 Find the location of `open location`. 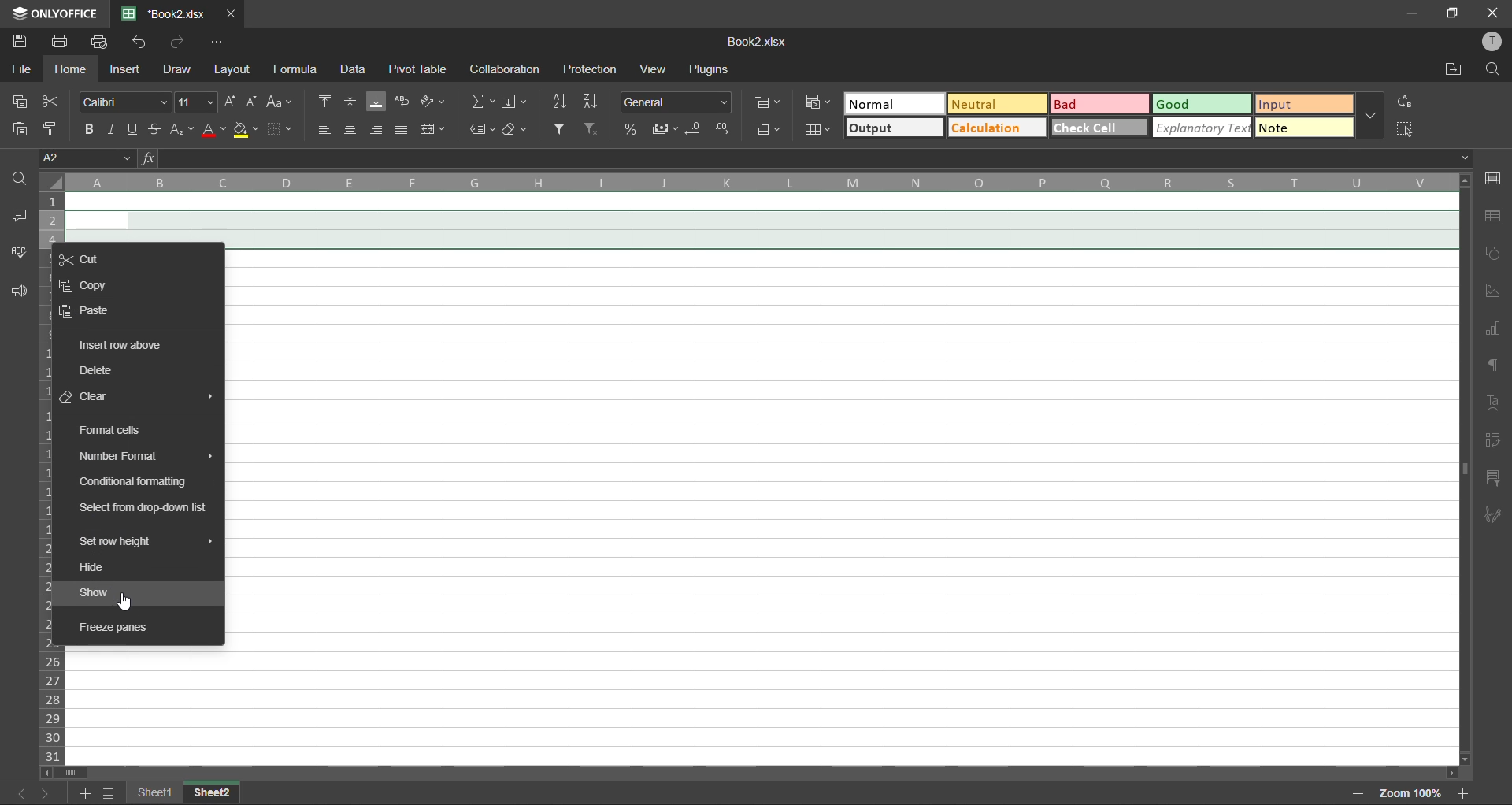

open location is located at coordinates (1452, 69).